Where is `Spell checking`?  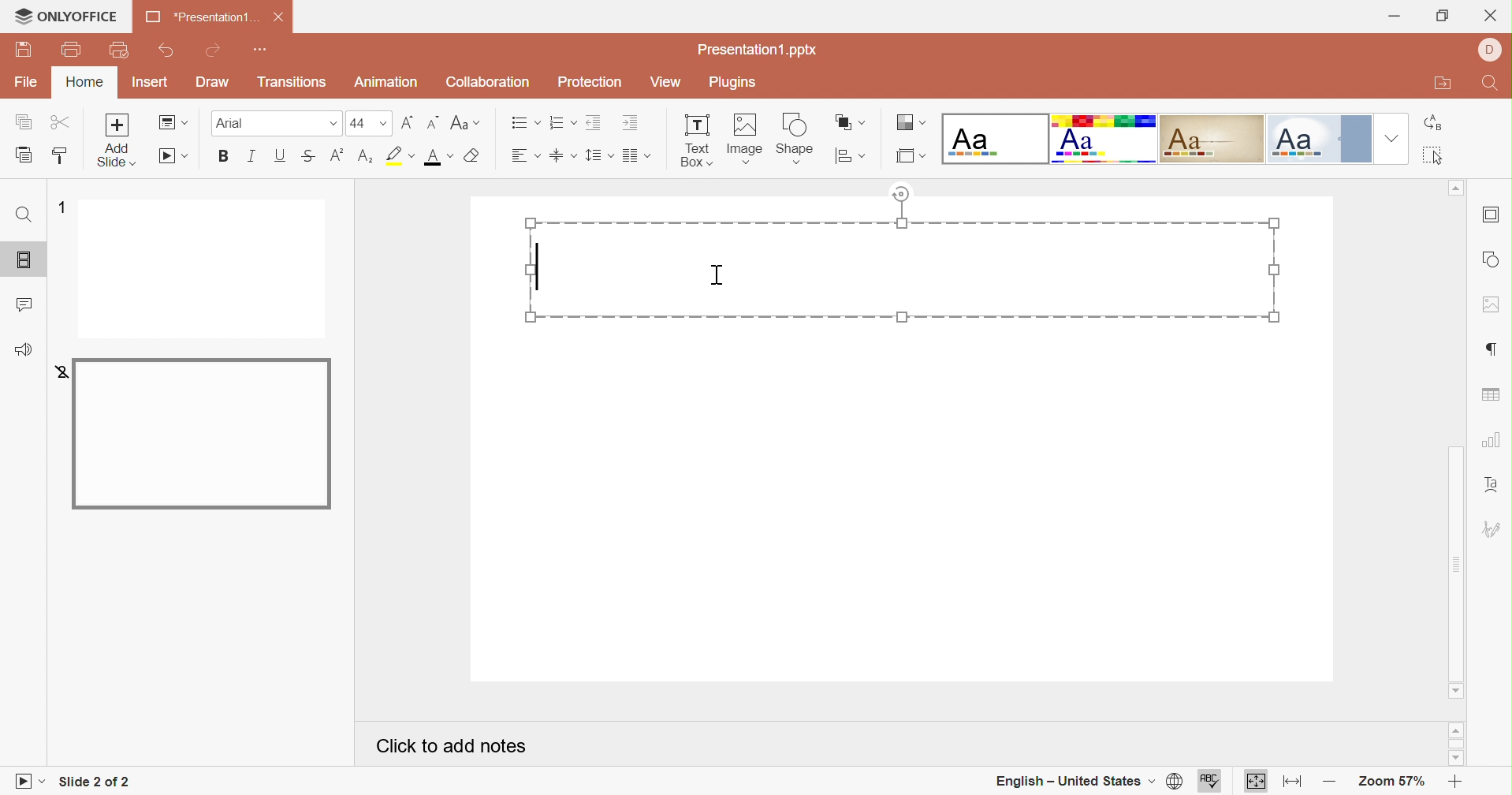 Spell checking is located at coordinates (1208, 782).